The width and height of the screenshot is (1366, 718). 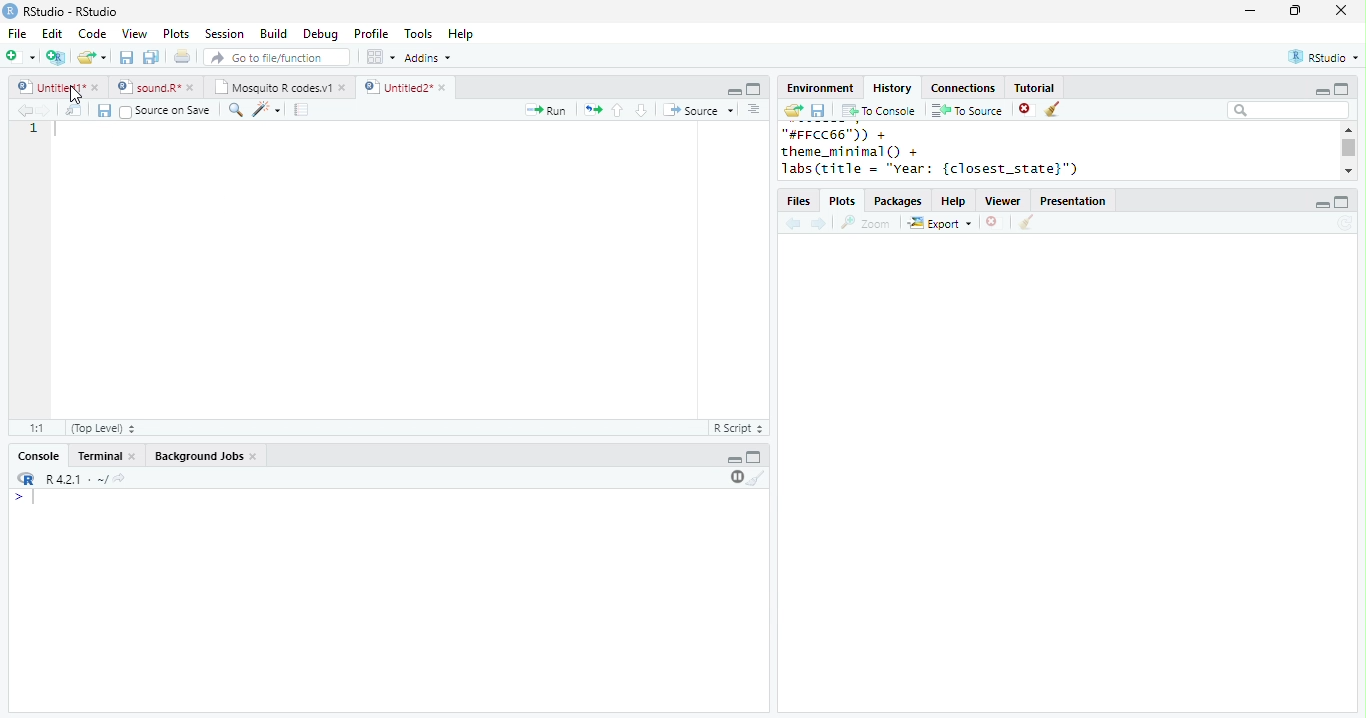 What do you see at coordinates (892, 88) in the screenshot?
I see `History` at bounding box center [892, 88].